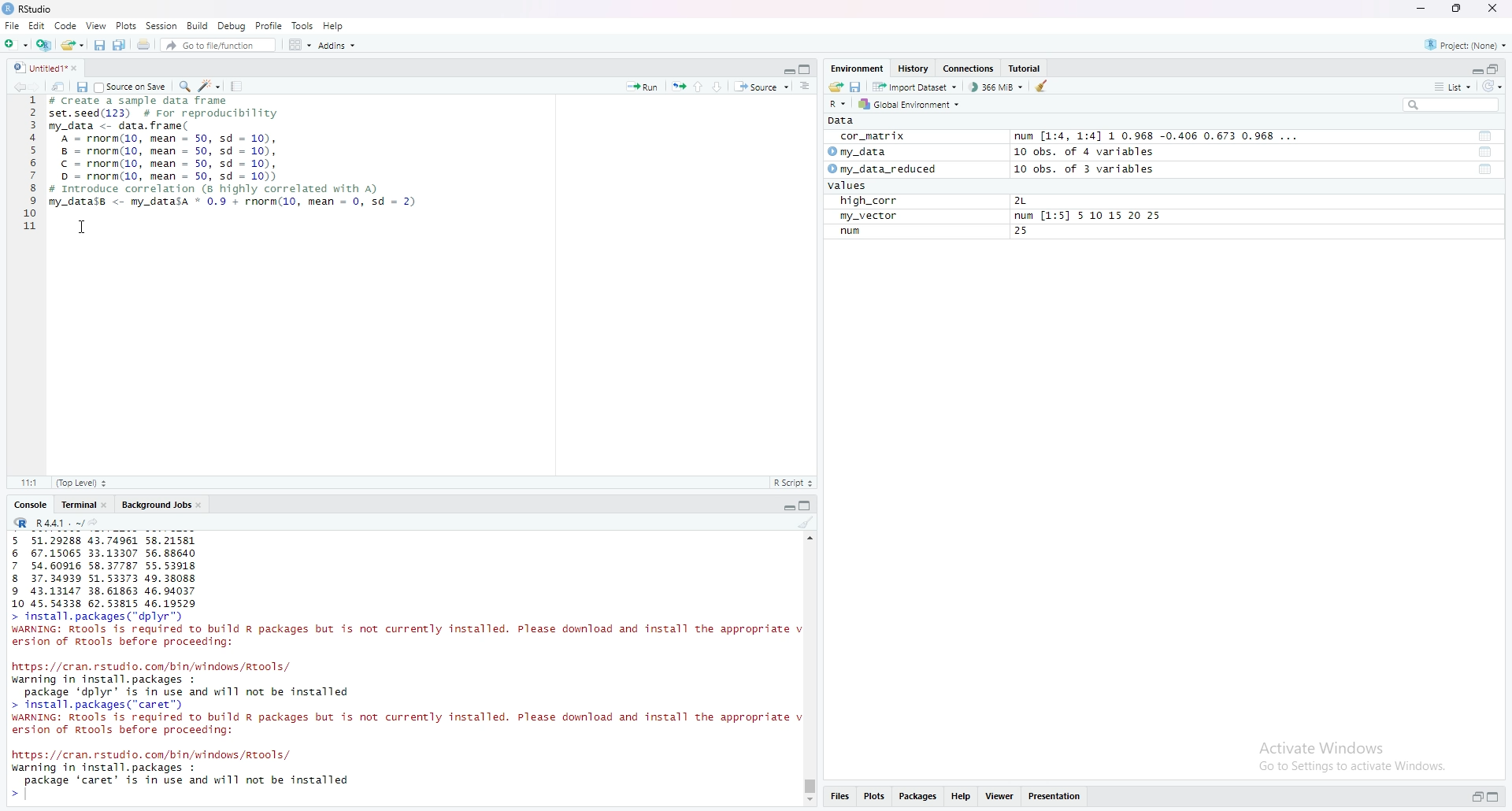 The width and height of the screenshot is (1512, 811). I want to click on tool, so click(1487, 135).